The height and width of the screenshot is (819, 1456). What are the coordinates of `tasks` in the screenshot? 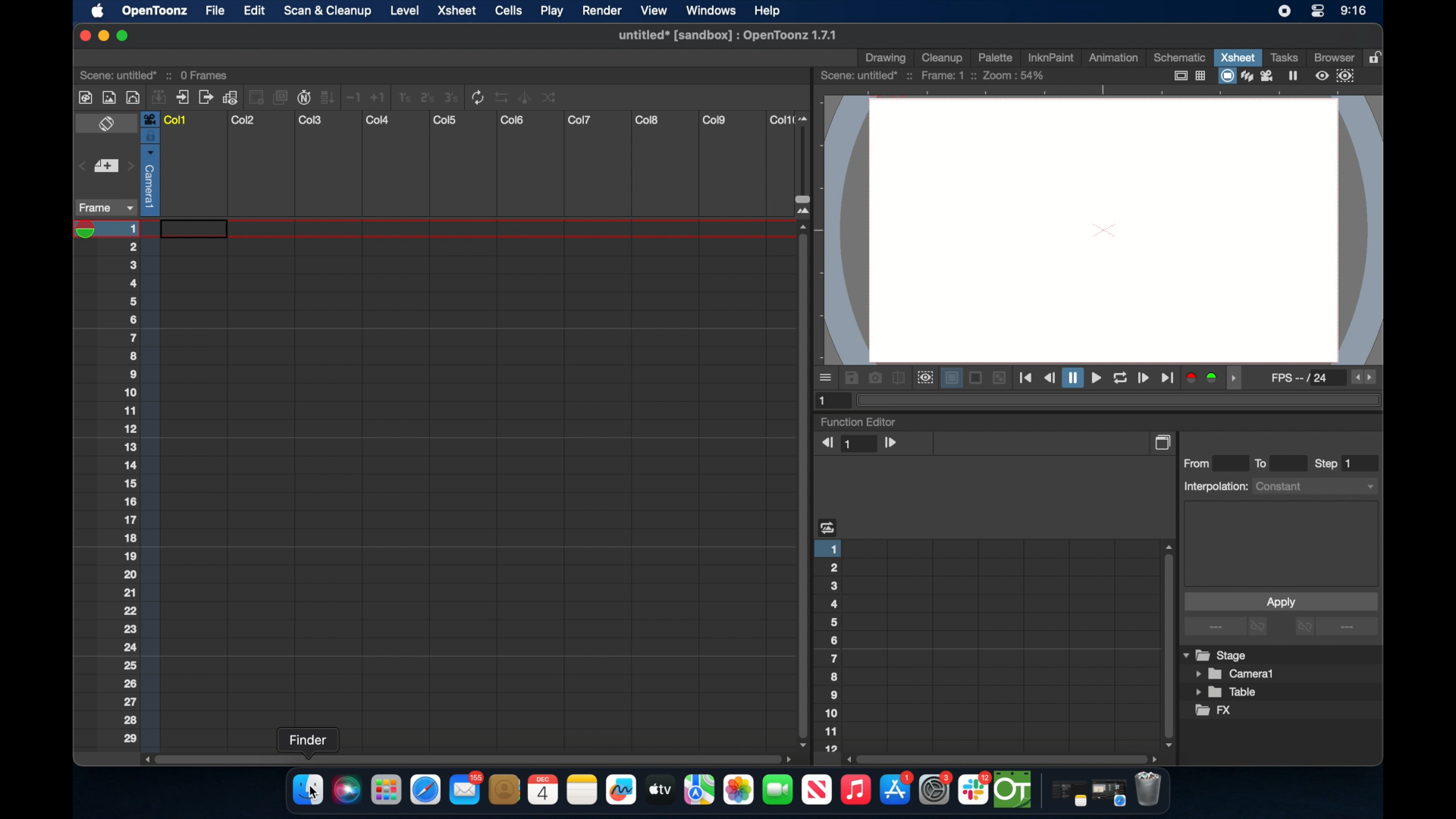 It's located at (1283, 57).